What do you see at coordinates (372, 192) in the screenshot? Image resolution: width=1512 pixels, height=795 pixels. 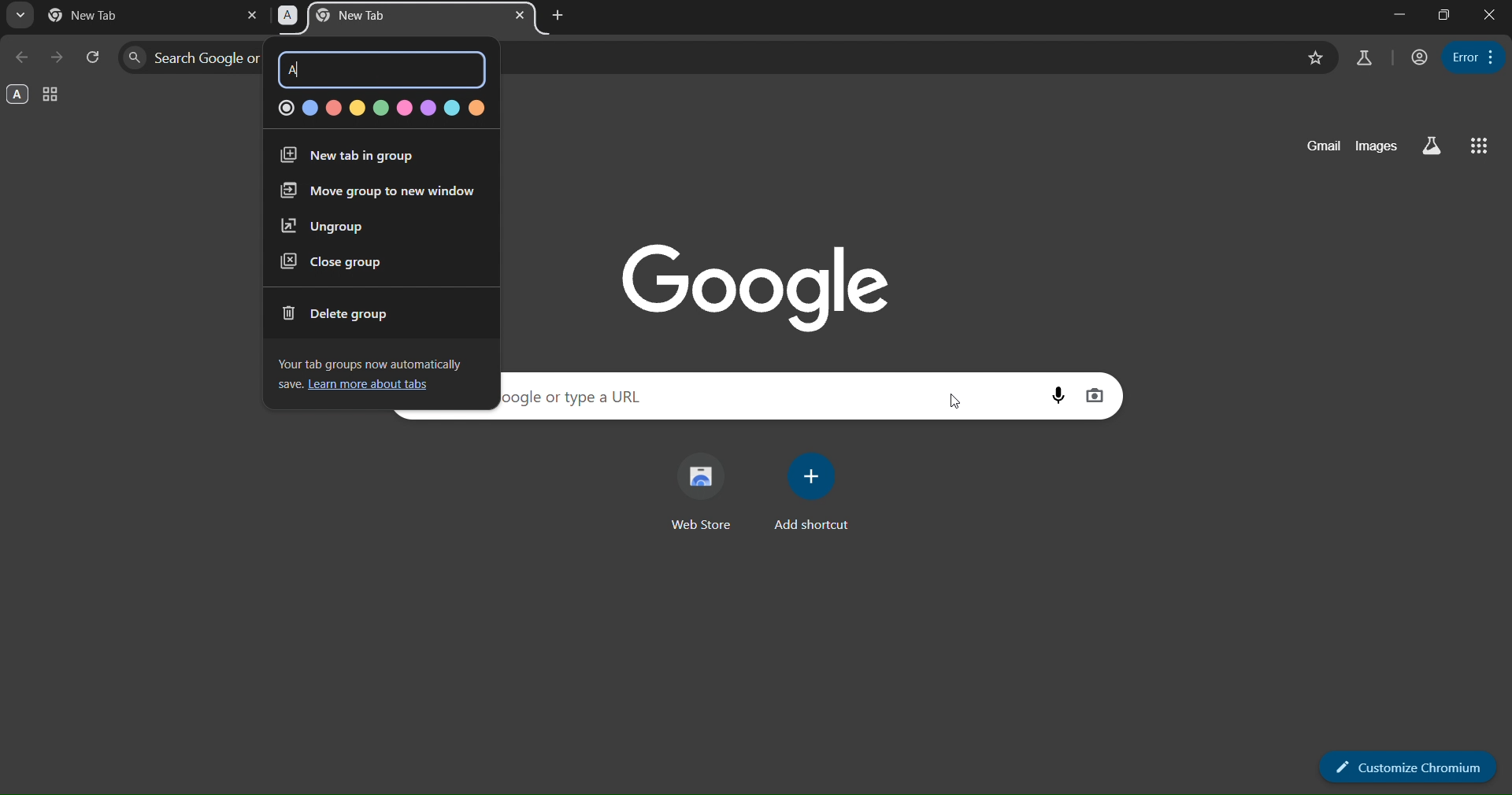 I see `move group to new window` at bounding box center [372, 192].